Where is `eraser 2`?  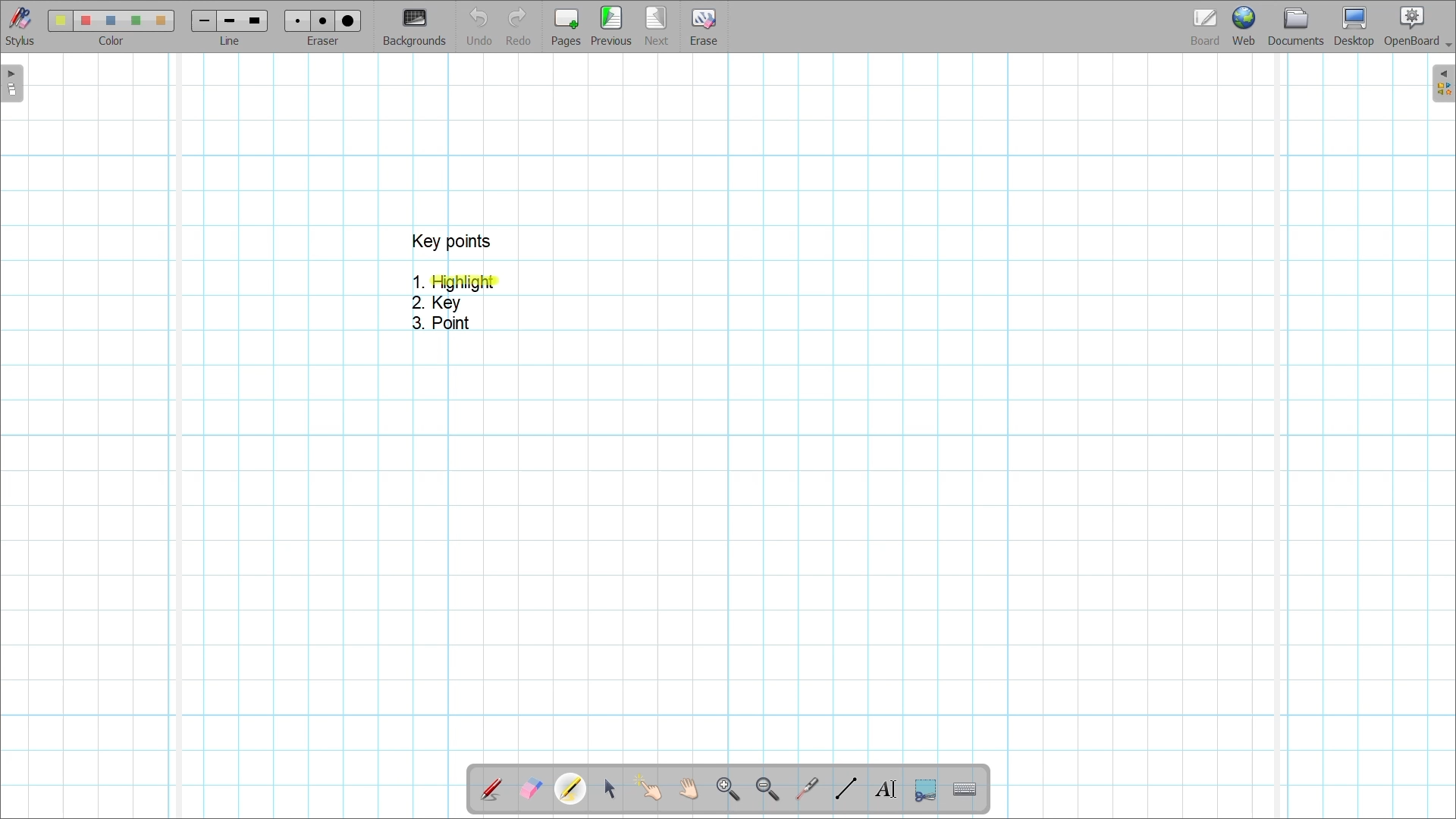
eraser 2 is located at coordinates (322, 20).